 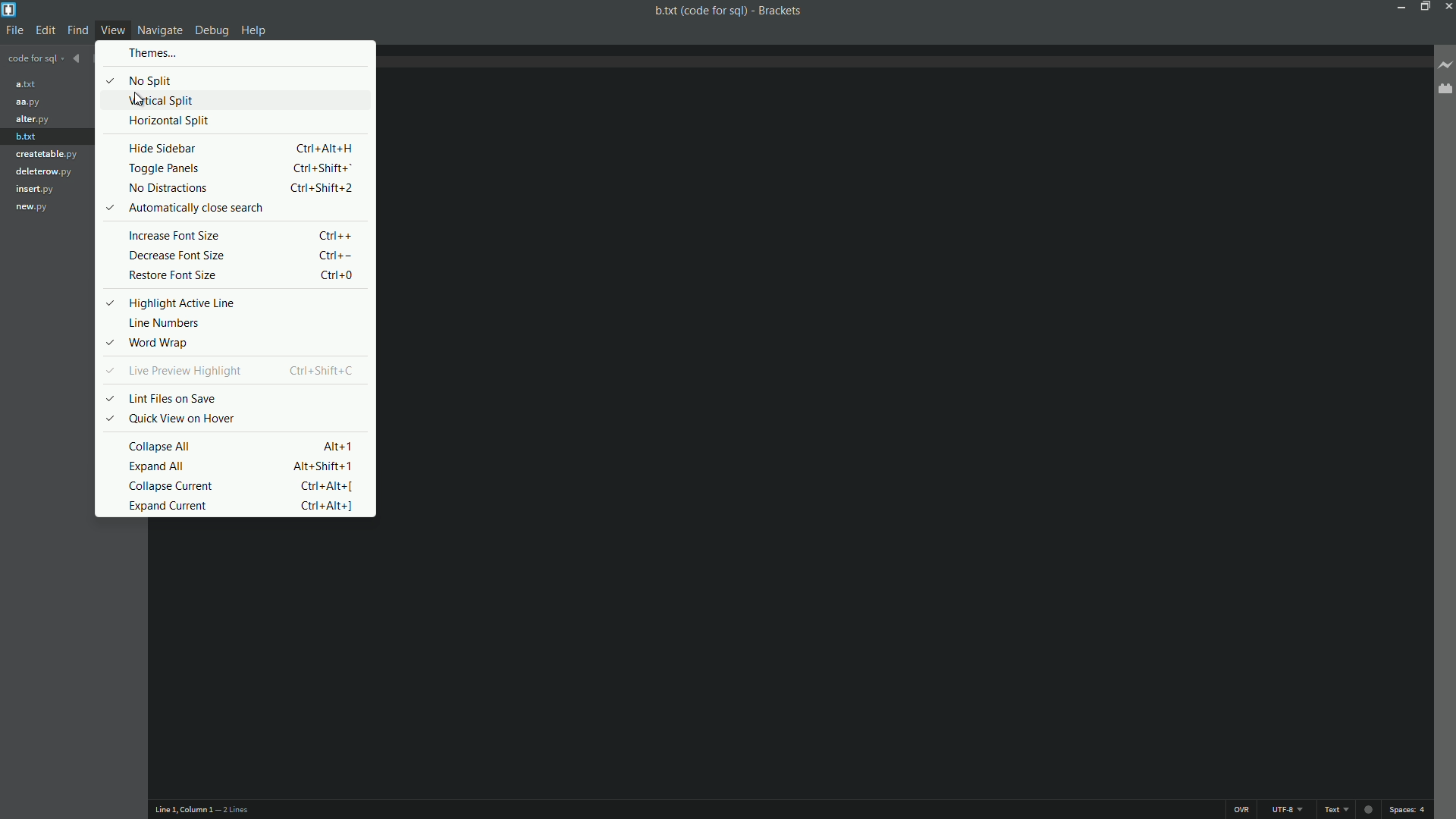 What do you see at coordinates (243, 256) in the screenshot?
I see `decrease font size` at bounding box center [243, 256].